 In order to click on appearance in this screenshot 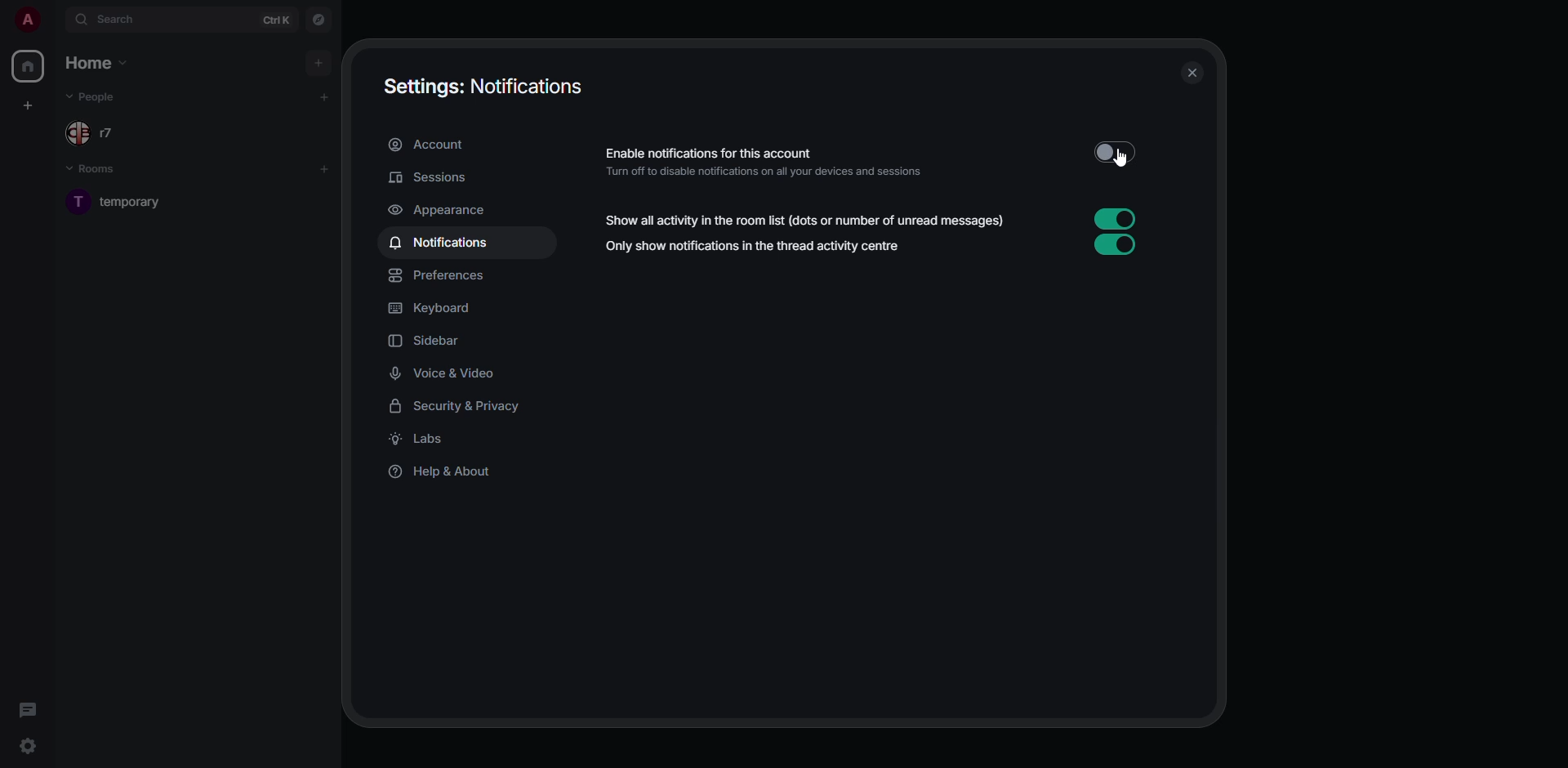, I will do `click(443, 211)`.